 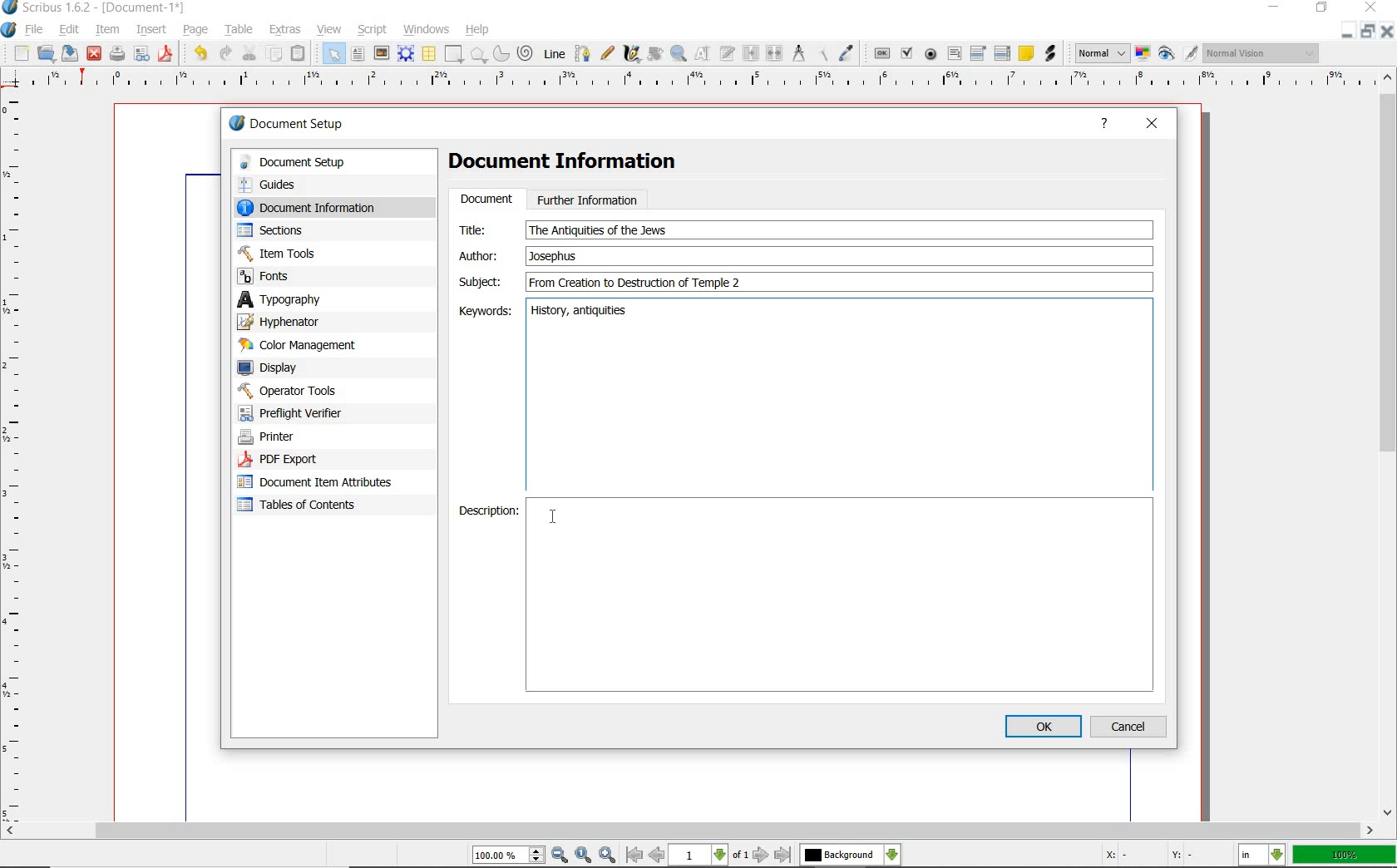 What do you see at coordinates (239, 29) in the screenshot?
I see `table` at bounding box center [239, 29].